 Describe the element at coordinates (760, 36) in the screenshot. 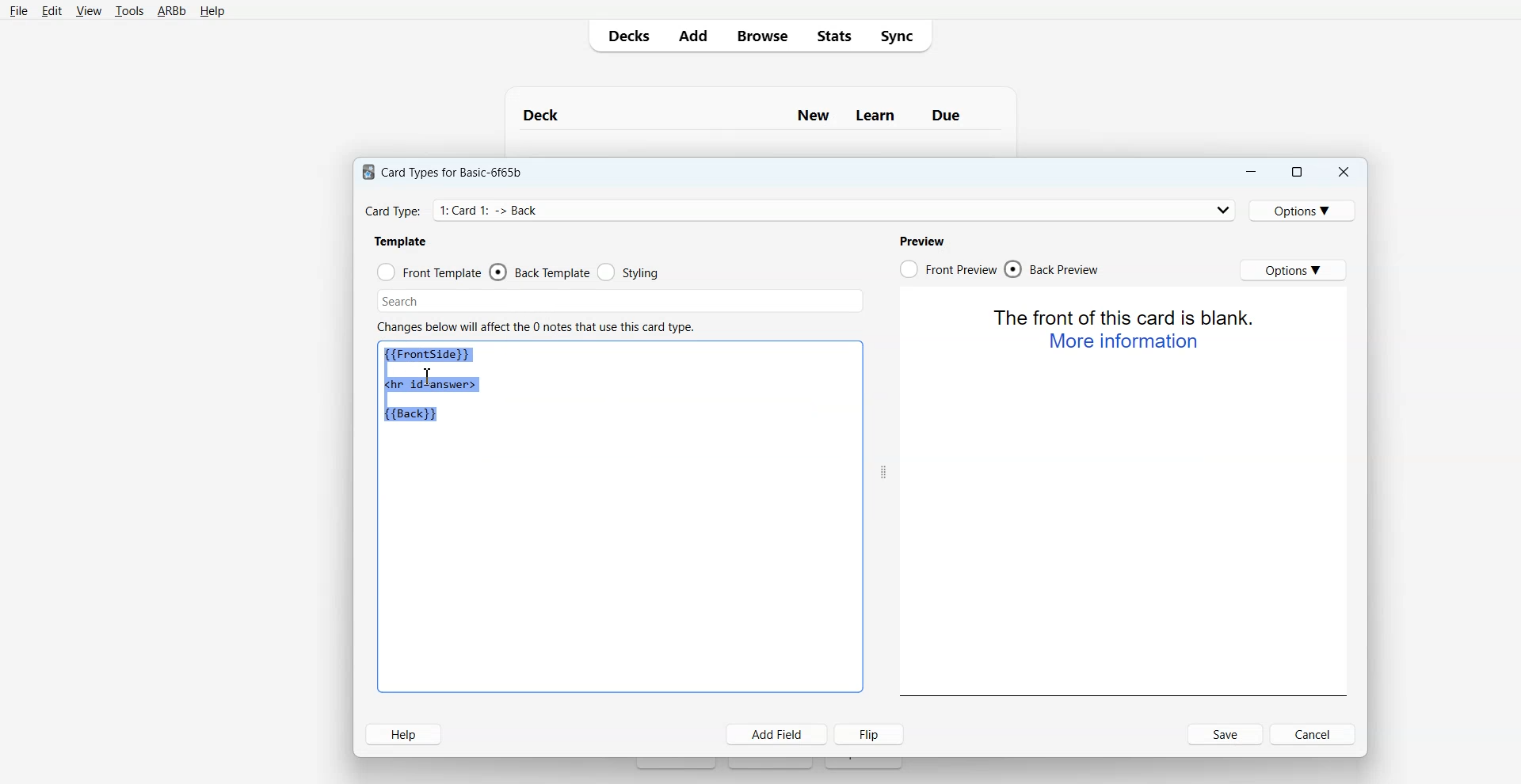

I see `Browse` at that location.